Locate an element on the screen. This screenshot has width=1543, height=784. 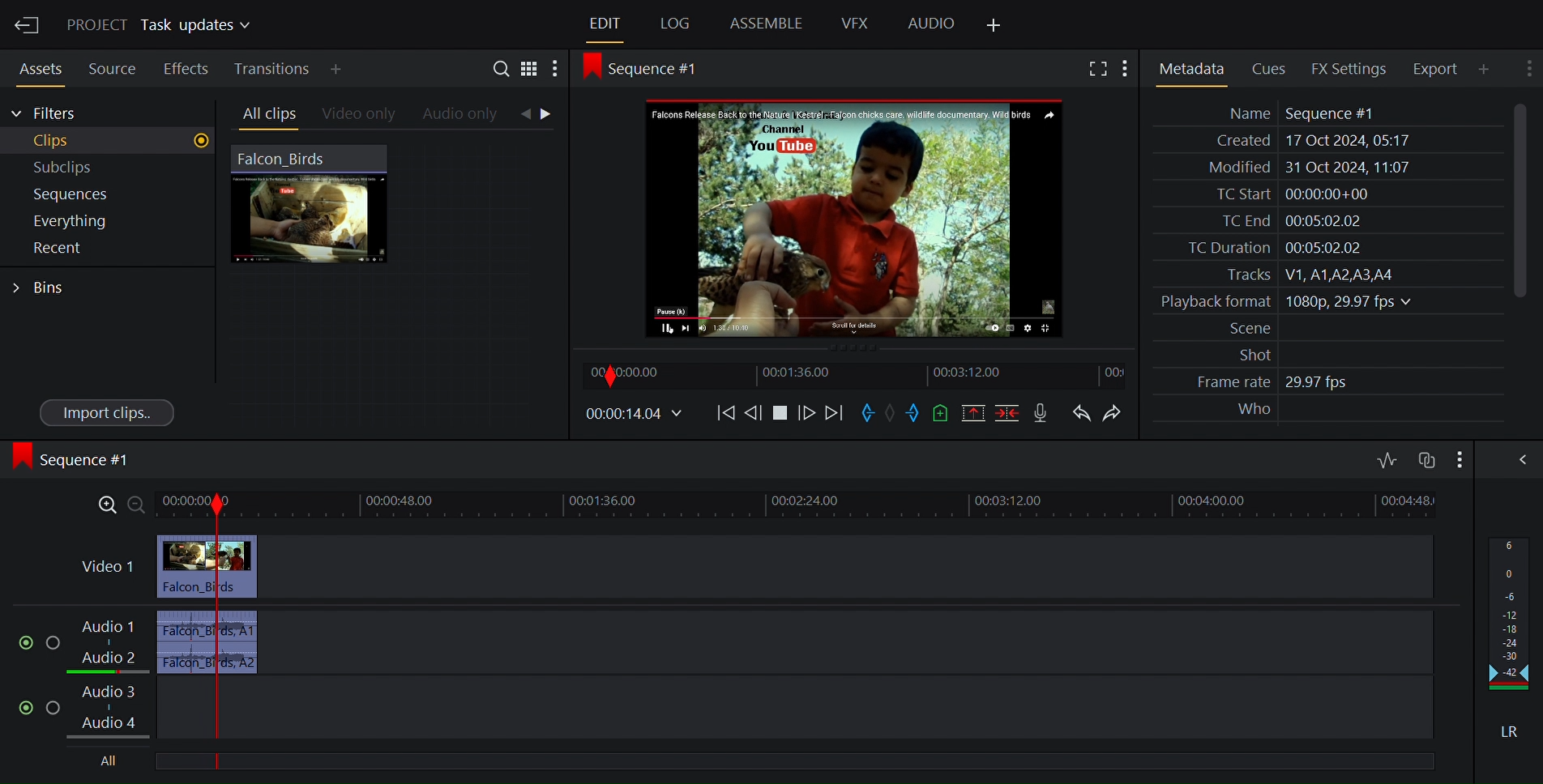
Navigation is located at coordinates (545, 116).